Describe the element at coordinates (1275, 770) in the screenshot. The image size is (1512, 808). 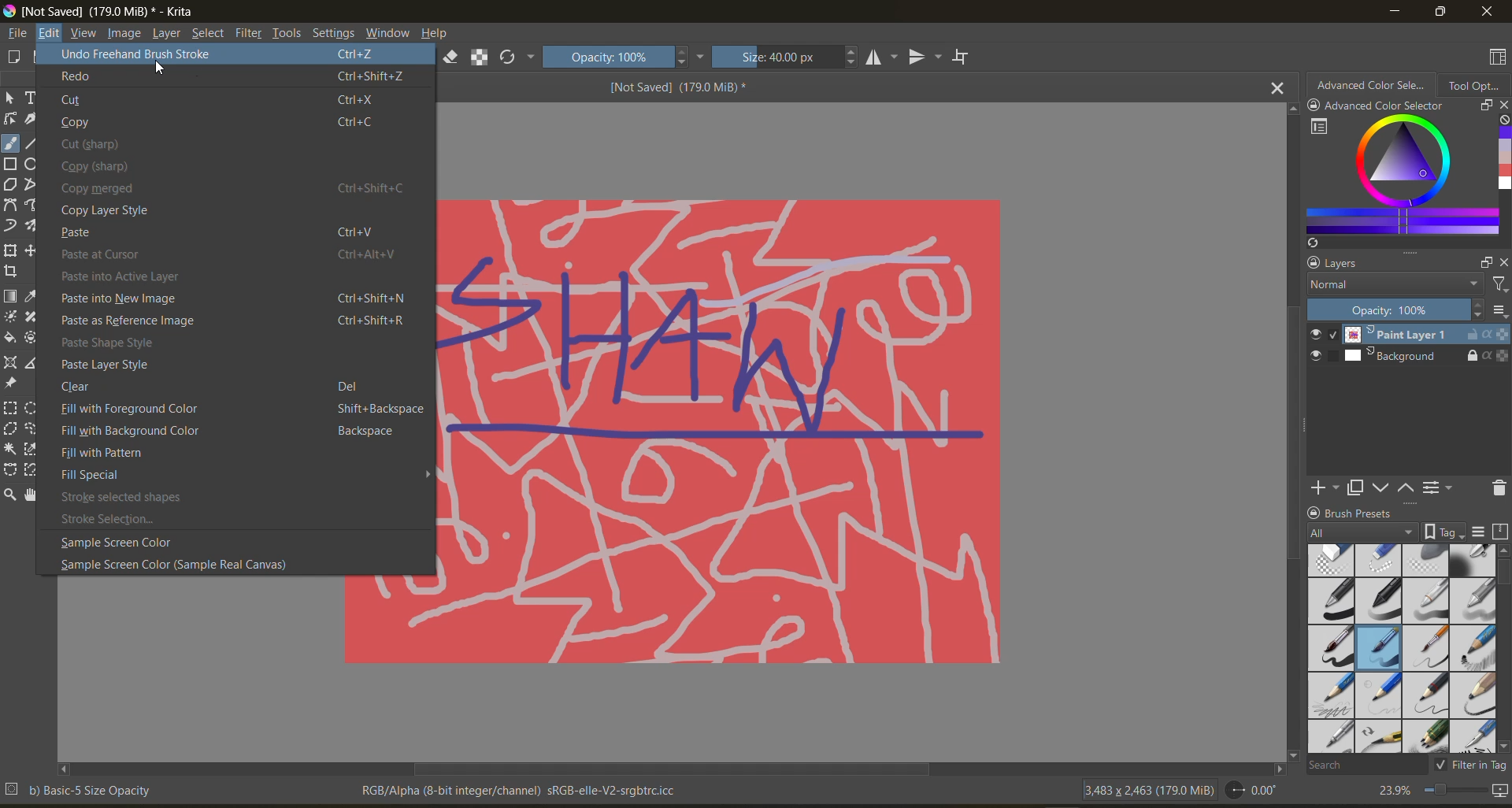
I see `scroll right` at that location.